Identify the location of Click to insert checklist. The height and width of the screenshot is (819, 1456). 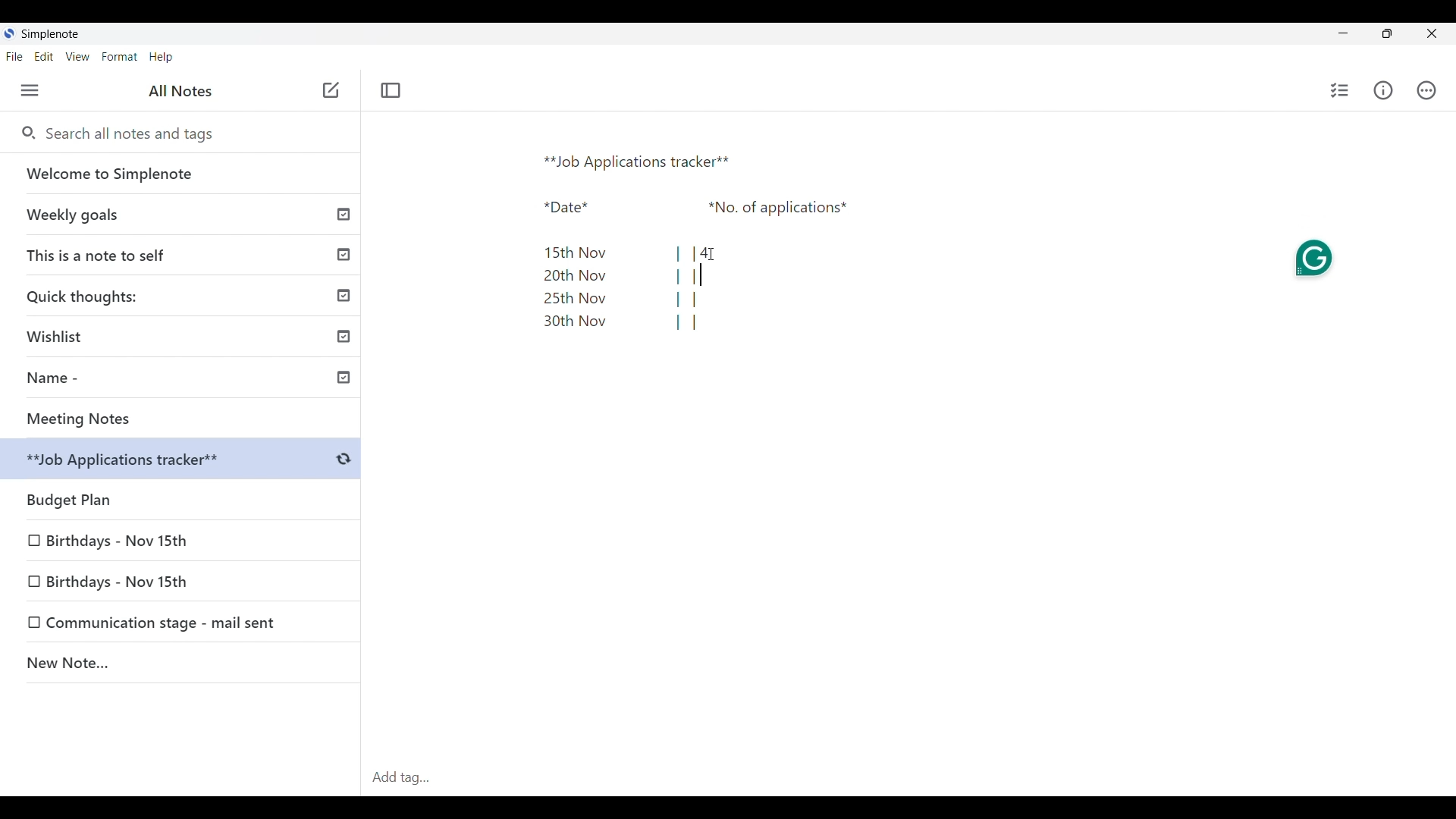
(1341, 90).